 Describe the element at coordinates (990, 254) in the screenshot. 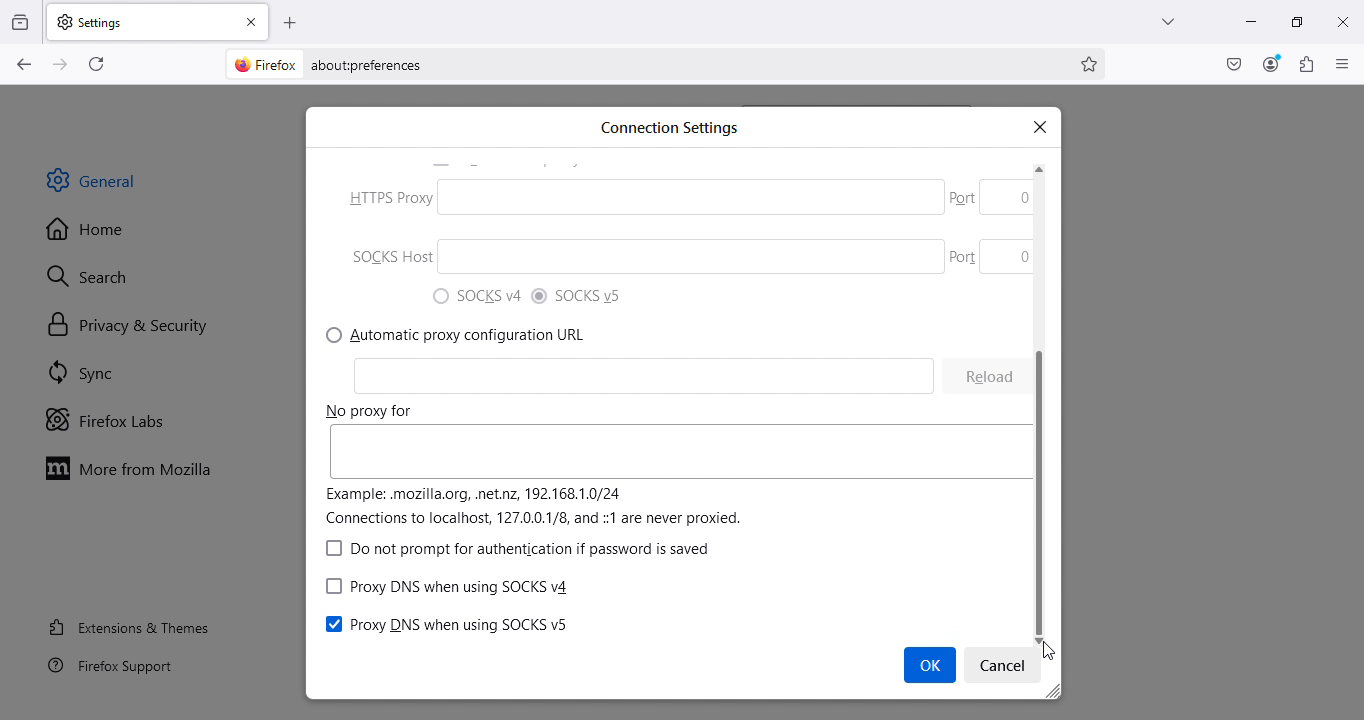

I see `Part 0` at that location.